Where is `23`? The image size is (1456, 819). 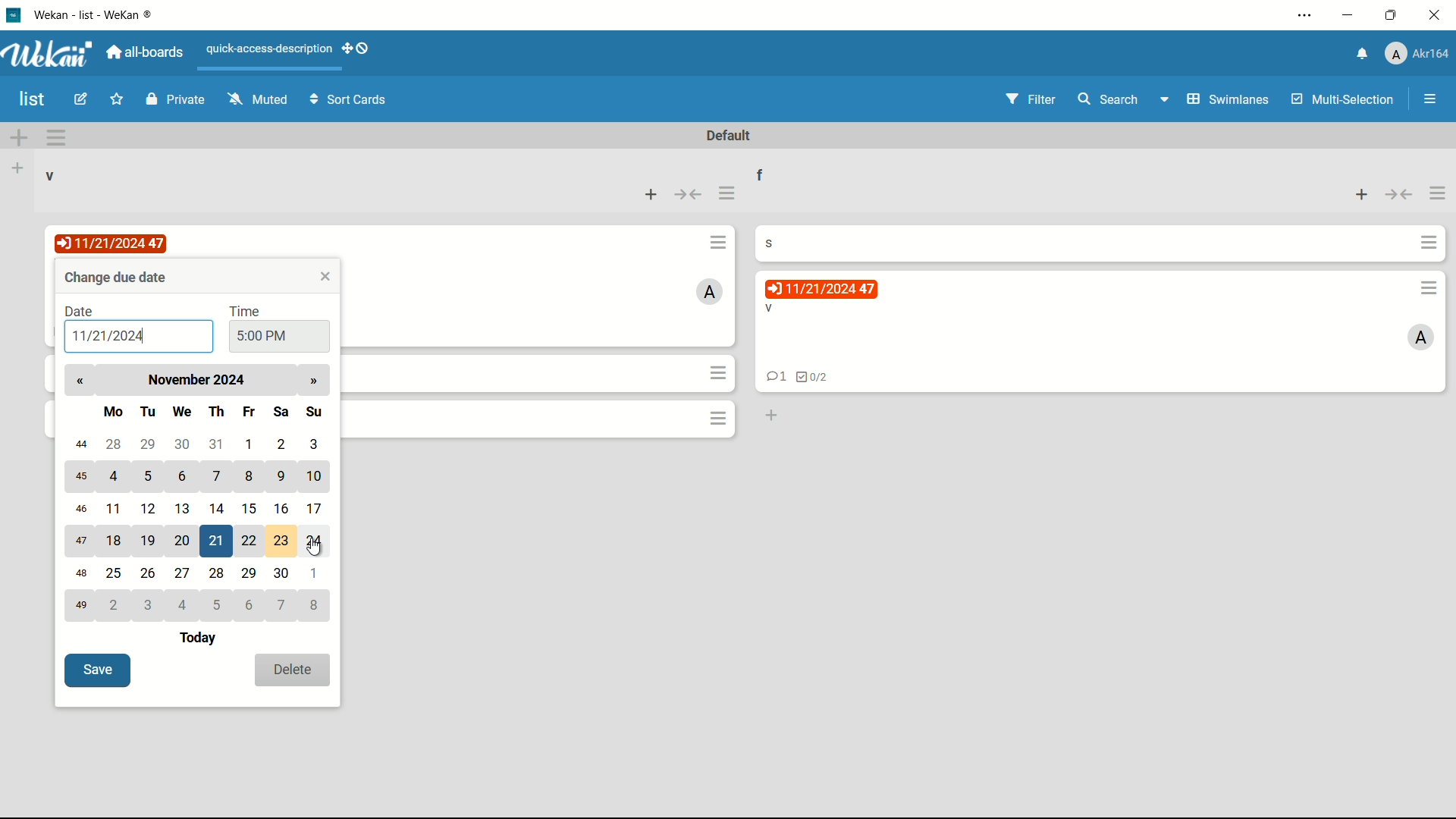
23 is located at coordinates (283, 541).